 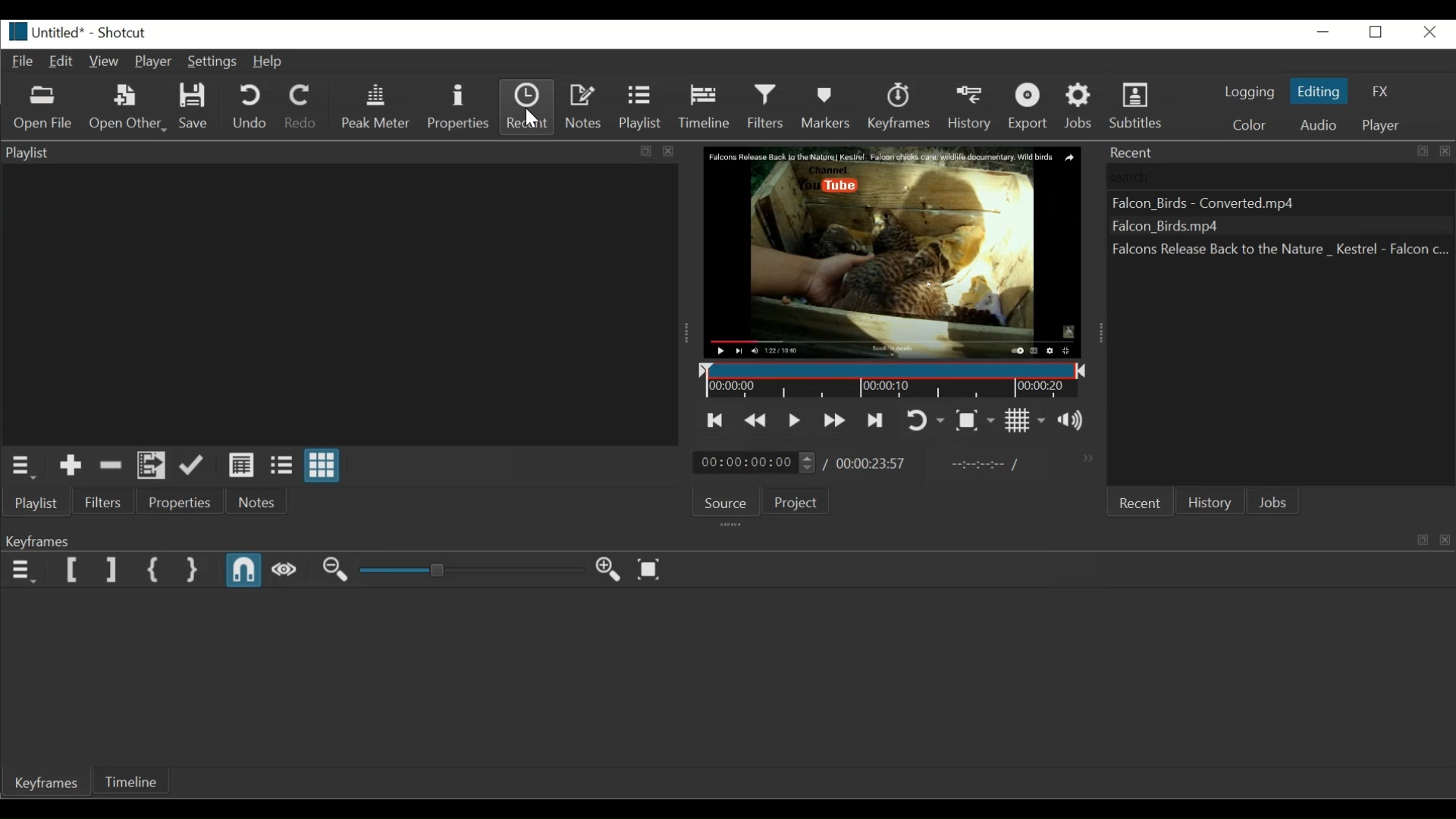 I want to click on 00:00:00:00(Current position), so click(x=754, y=463).